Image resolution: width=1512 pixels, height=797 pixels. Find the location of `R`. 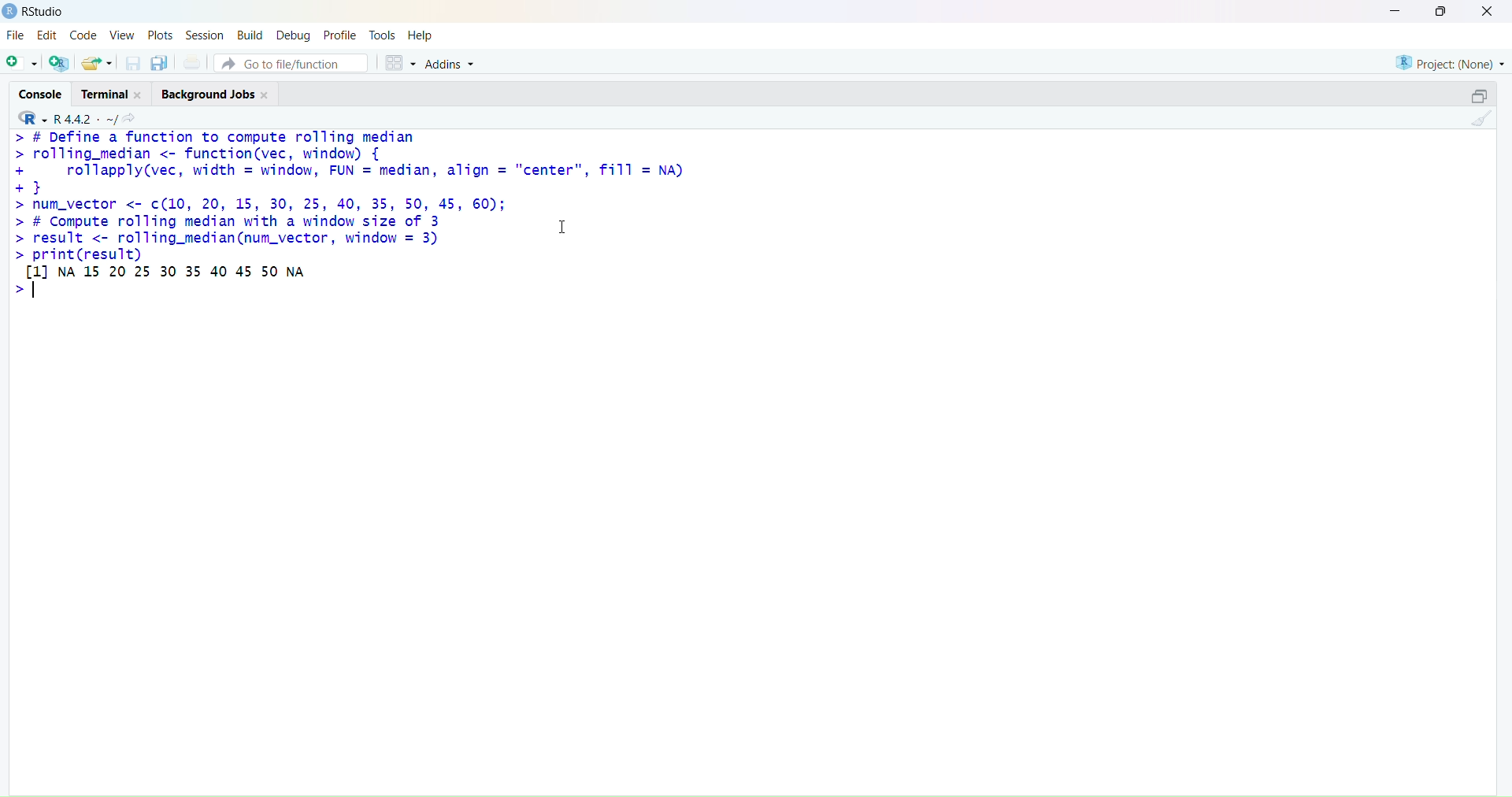

R is located at coordinates (33, 117).